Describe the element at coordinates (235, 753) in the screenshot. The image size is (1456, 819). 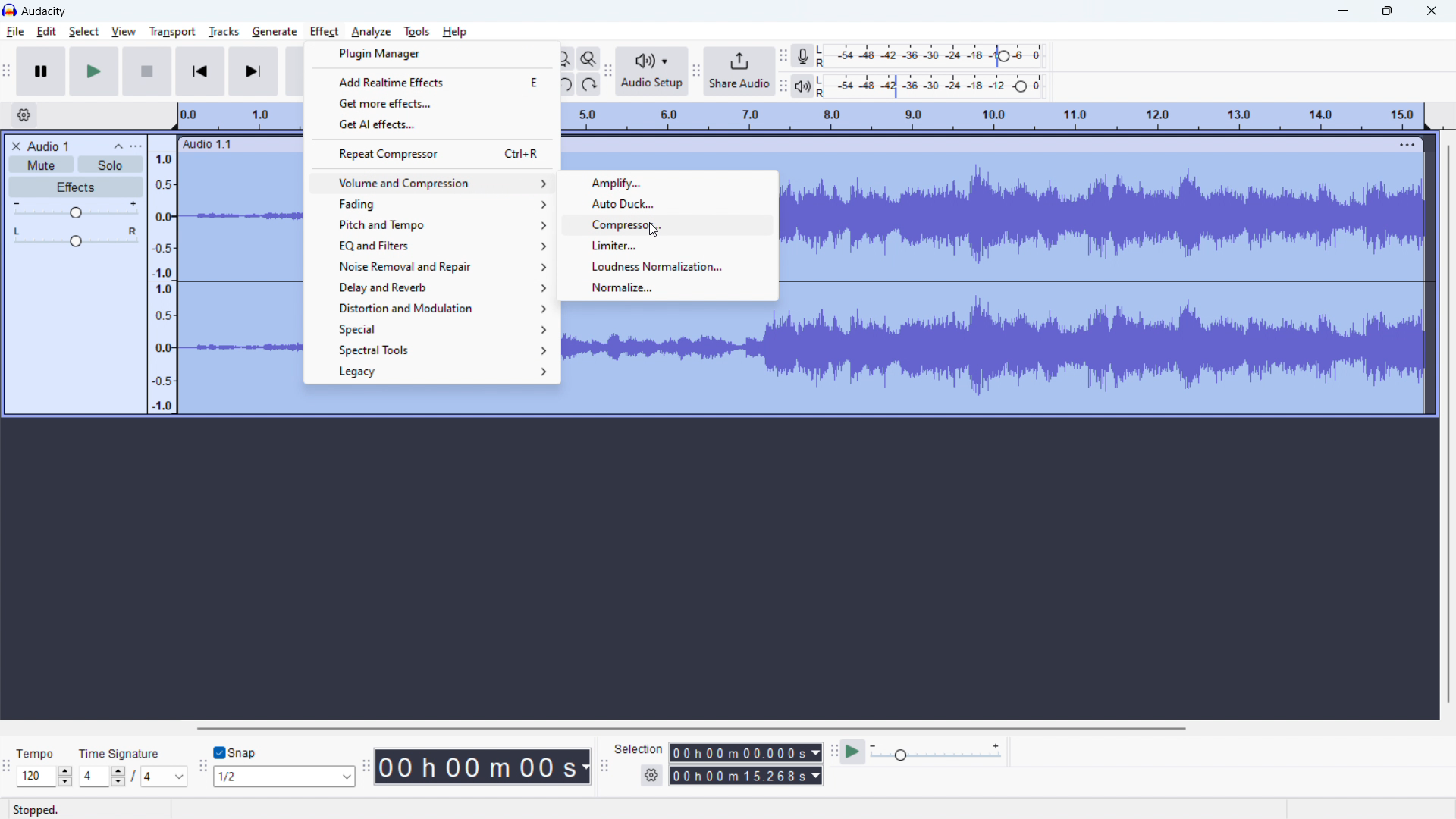
I see `toggle snap` at that location.